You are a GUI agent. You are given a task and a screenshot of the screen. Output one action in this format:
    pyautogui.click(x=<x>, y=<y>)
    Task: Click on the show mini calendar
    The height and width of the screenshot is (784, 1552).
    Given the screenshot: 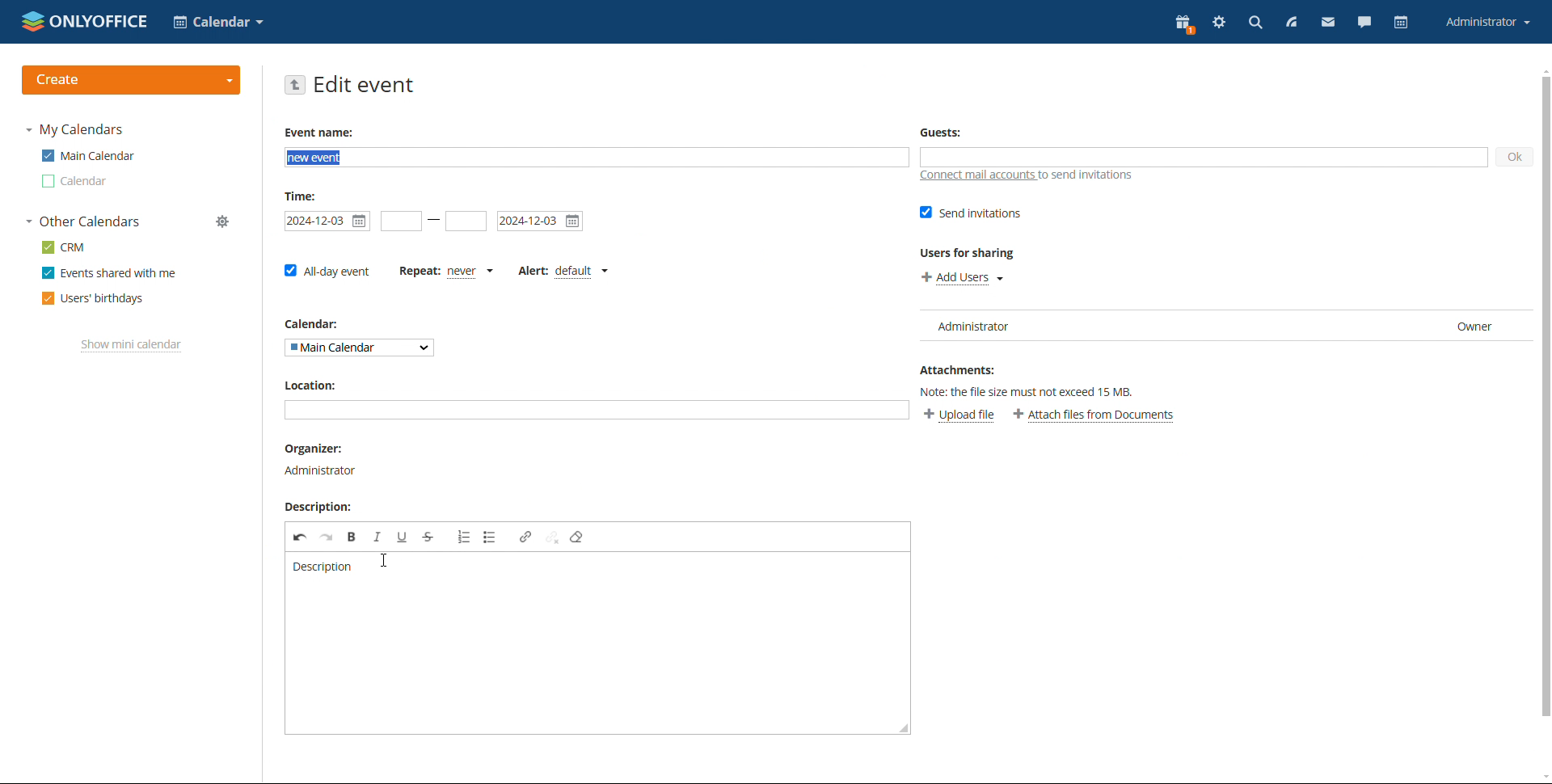 What is the action you would take?
    pyautogui.click(x=132, y=346)
    